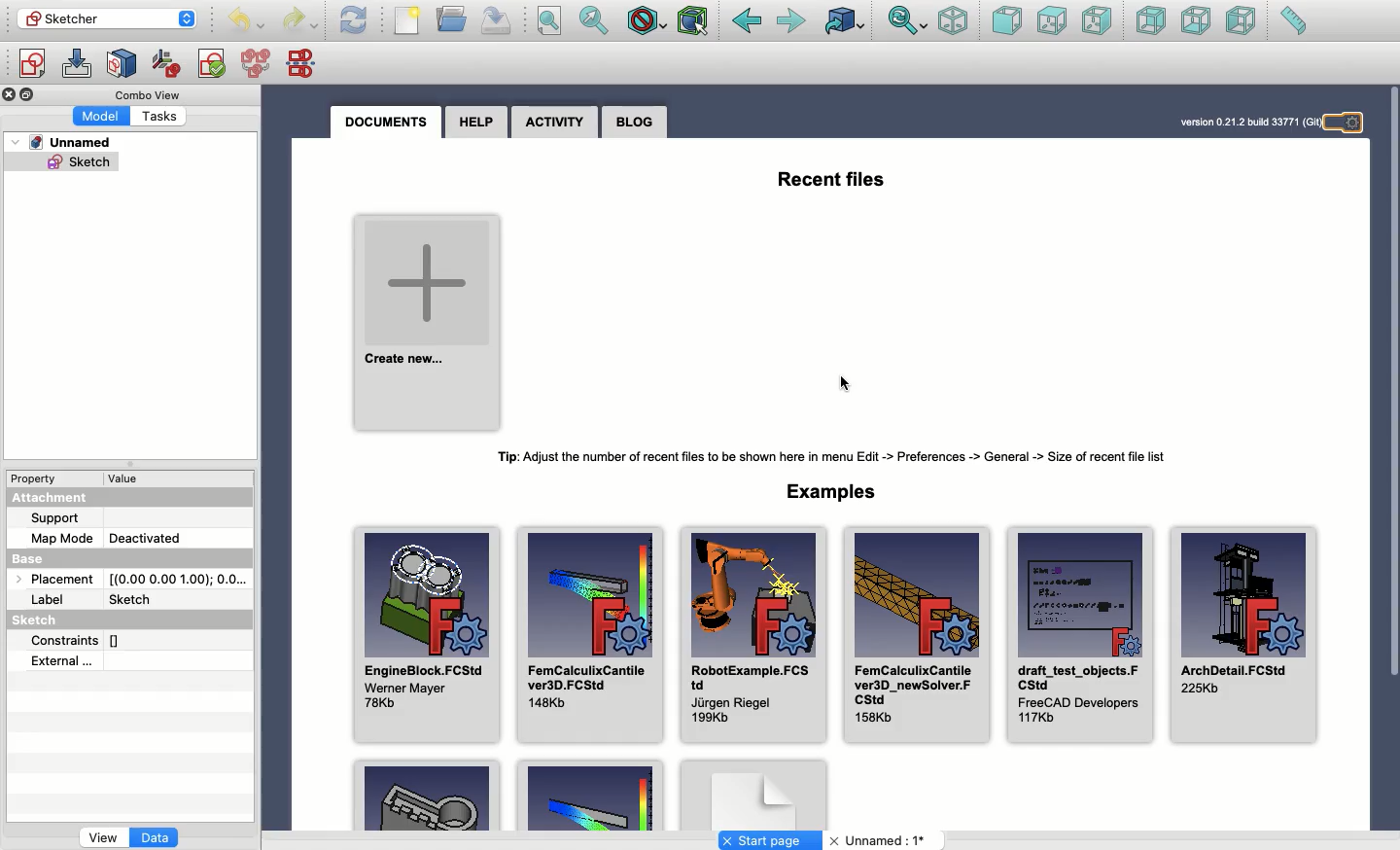  I want to click on Map mode deactivated, so click(109, 538).